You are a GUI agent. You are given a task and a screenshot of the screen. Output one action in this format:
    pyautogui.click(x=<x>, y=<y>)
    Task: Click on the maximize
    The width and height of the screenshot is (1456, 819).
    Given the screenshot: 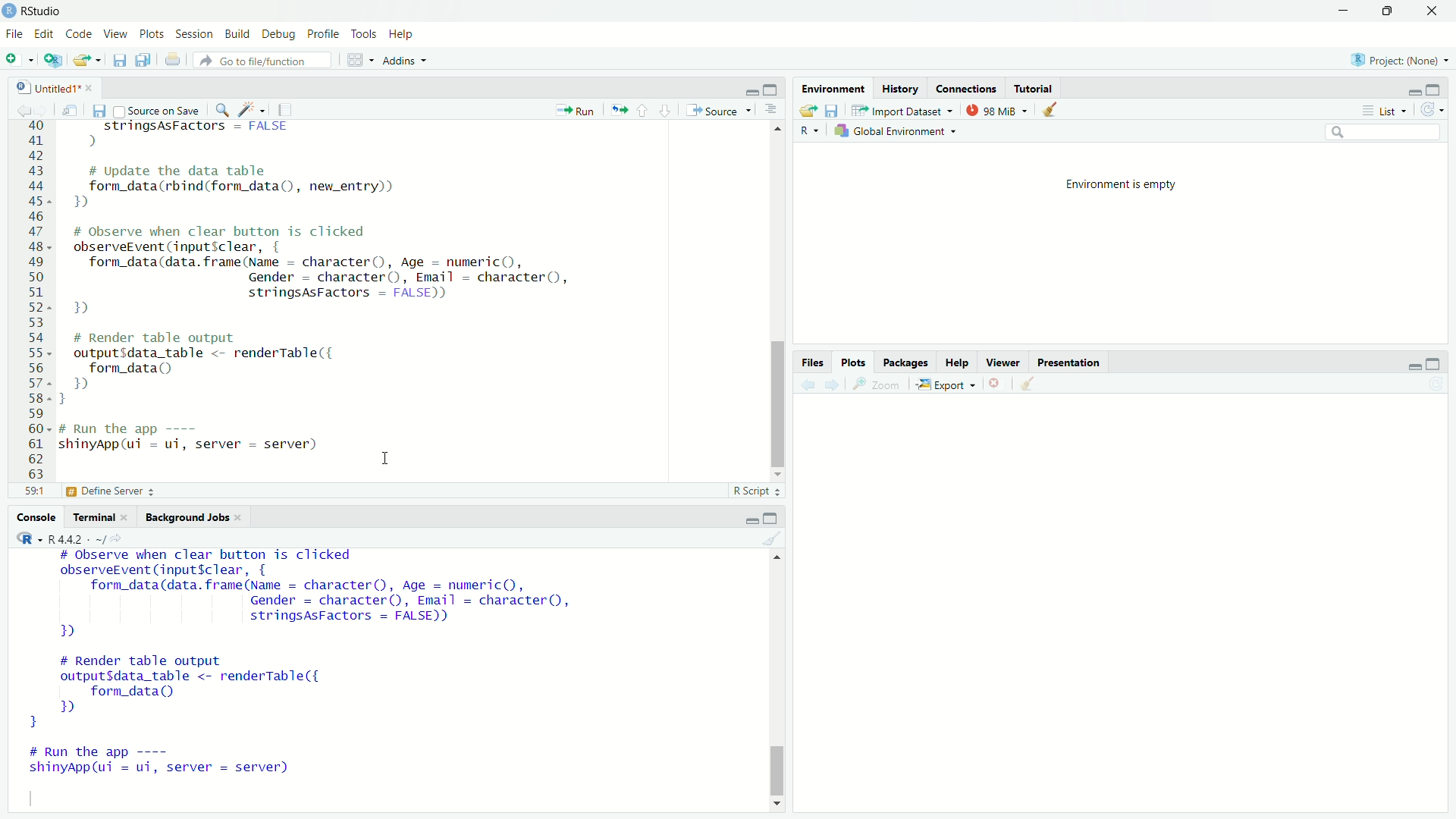 What is the action you would take?
    pyautogui.click(x=1441, y=88)
    